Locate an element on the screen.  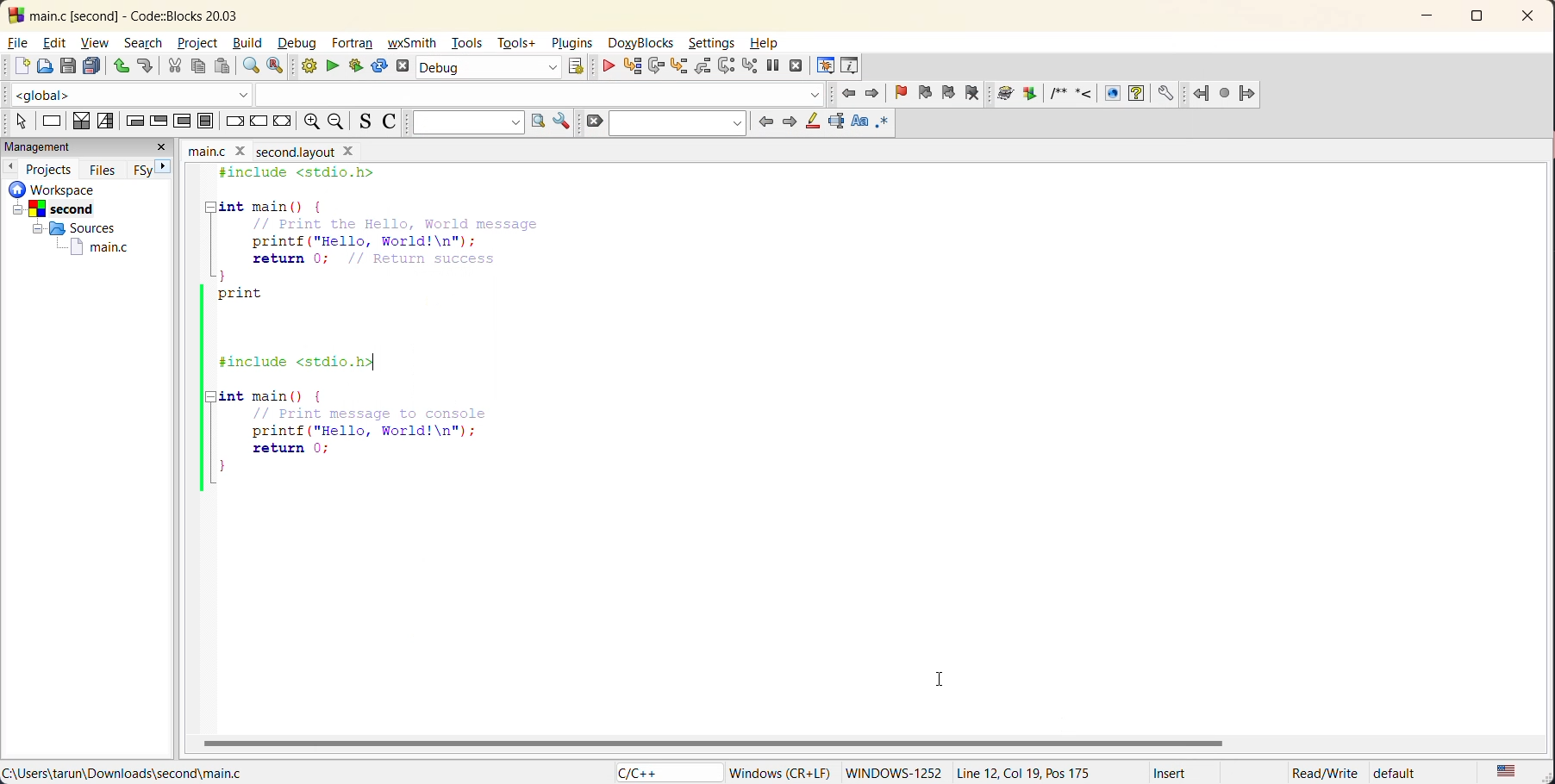
save is located at coordinates (66, 65).